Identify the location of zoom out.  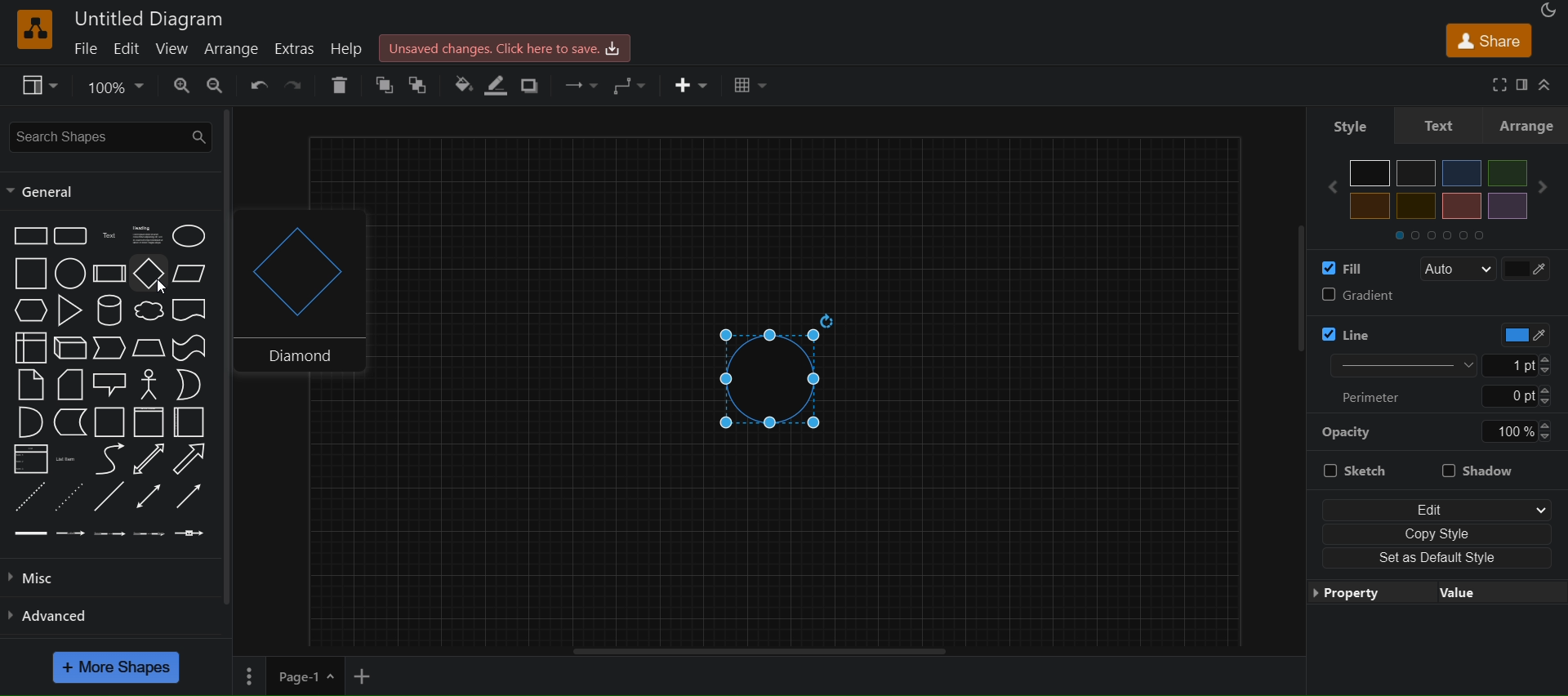
(219, 86).